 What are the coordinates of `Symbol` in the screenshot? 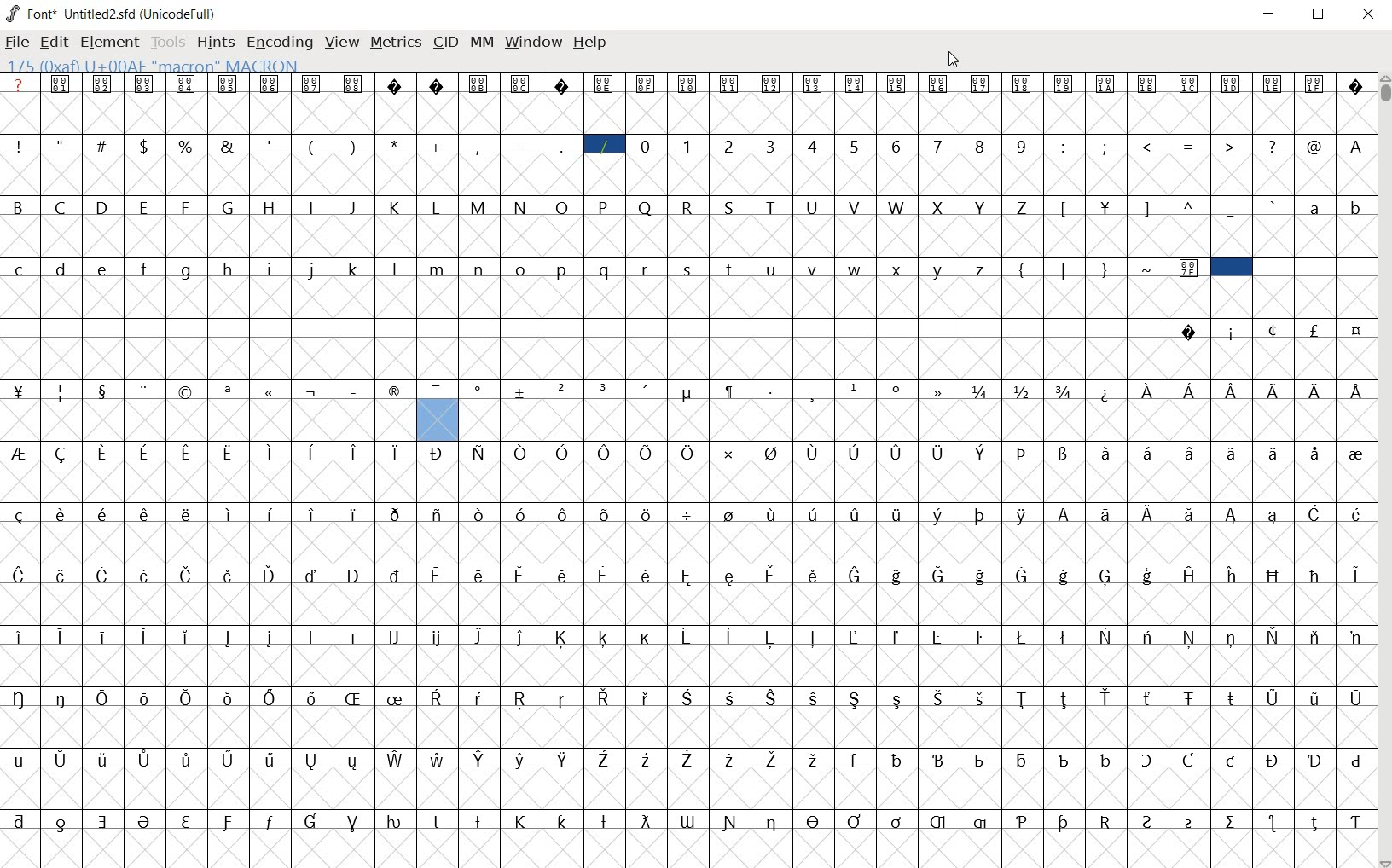 It's located at (899, 576).